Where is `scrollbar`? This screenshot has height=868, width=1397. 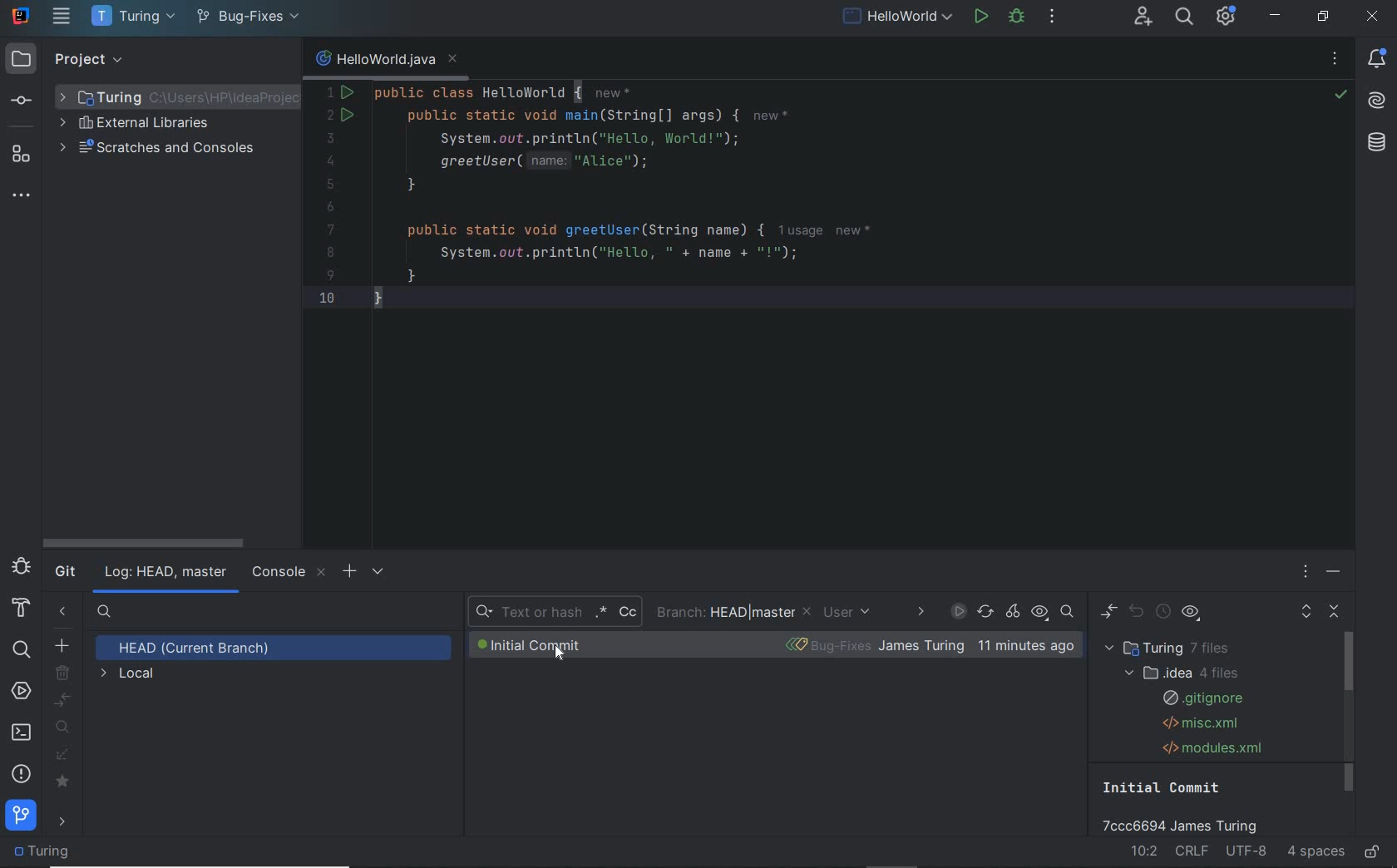
scrollbar is located at coordinates (141, 543).